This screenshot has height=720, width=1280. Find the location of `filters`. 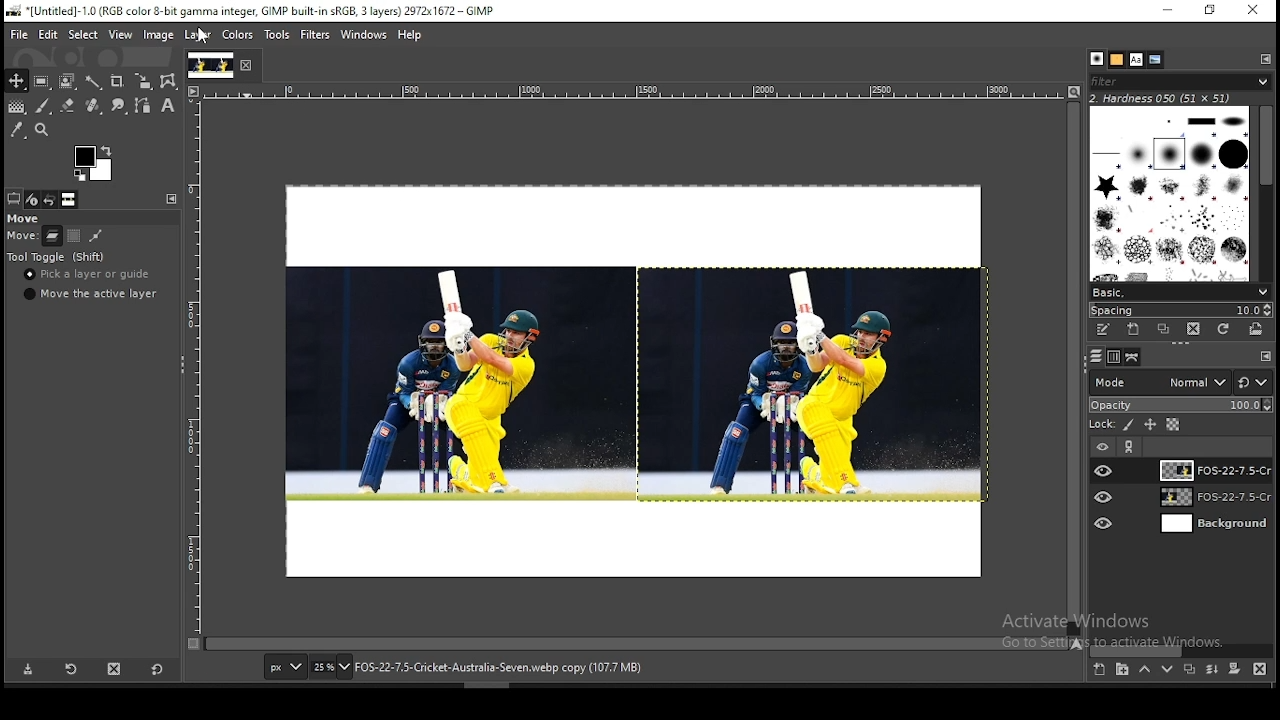

filters is located at coordinates (316, 35).